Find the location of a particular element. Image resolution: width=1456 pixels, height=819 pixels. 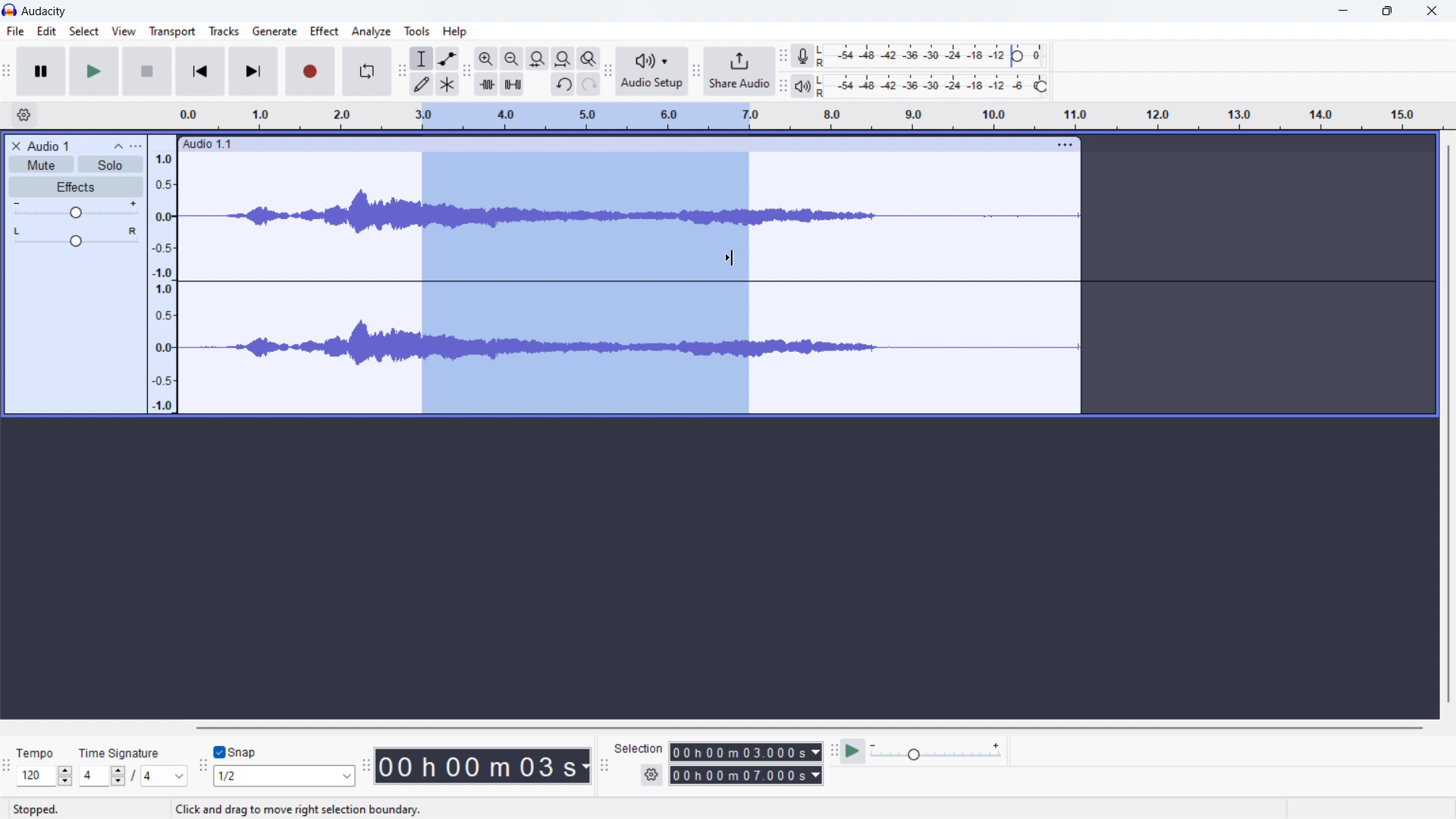

pause is located at coordinates (40, 71).